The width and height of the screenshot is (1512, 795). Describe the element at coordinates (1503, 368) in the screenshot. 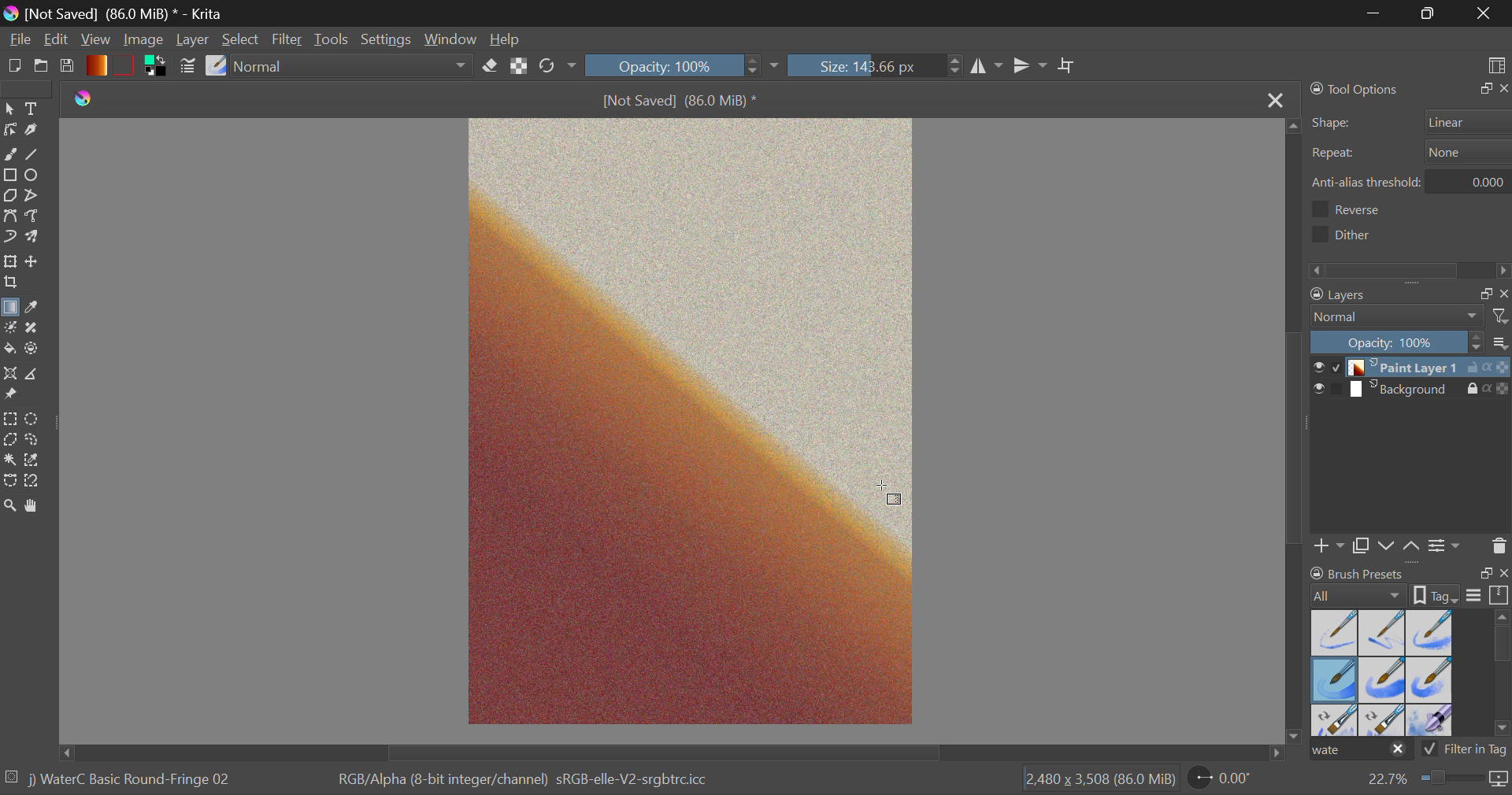

I see `color scale` at that location.